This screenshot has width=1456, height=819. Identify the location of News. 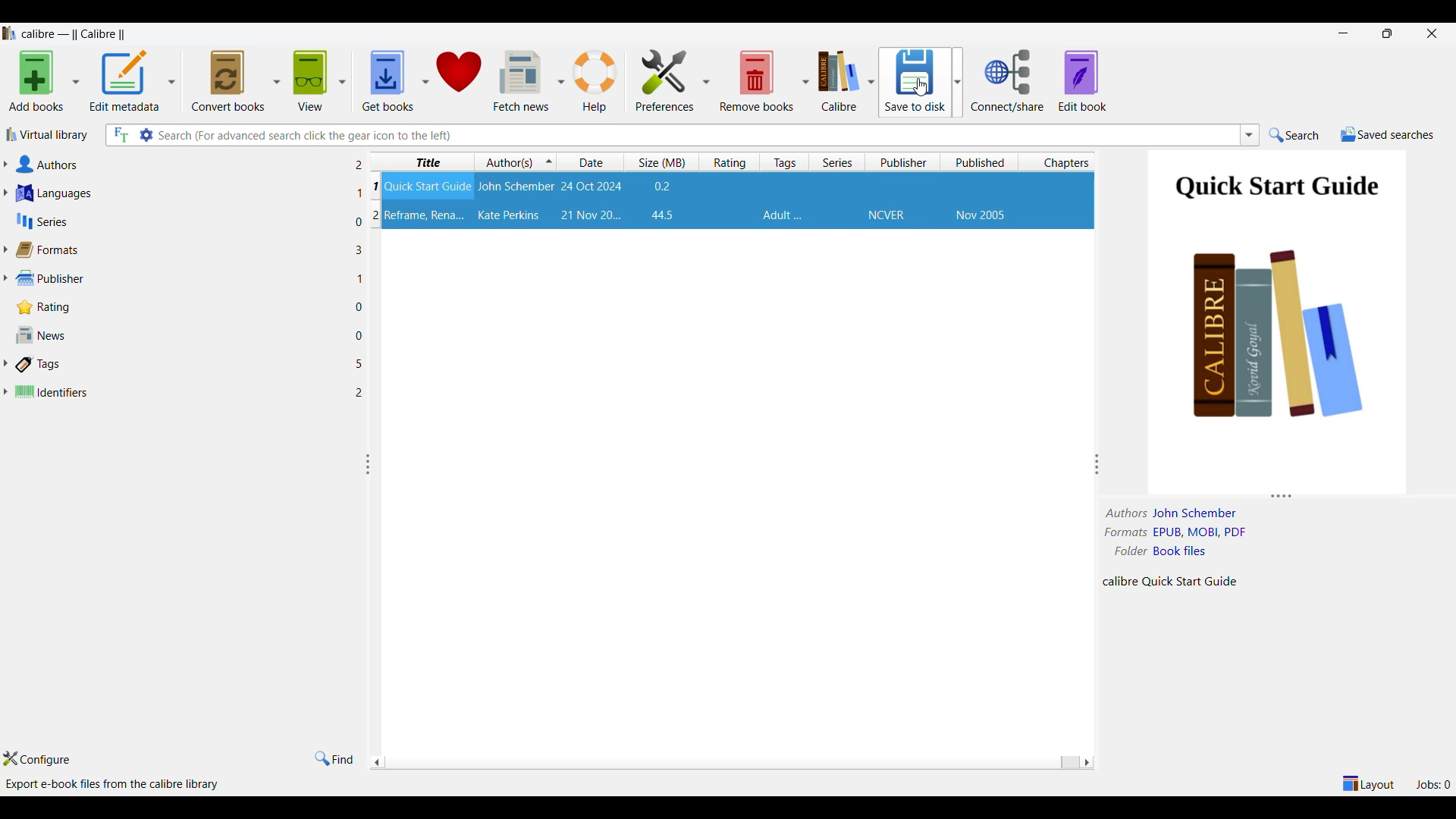
(174, 335).